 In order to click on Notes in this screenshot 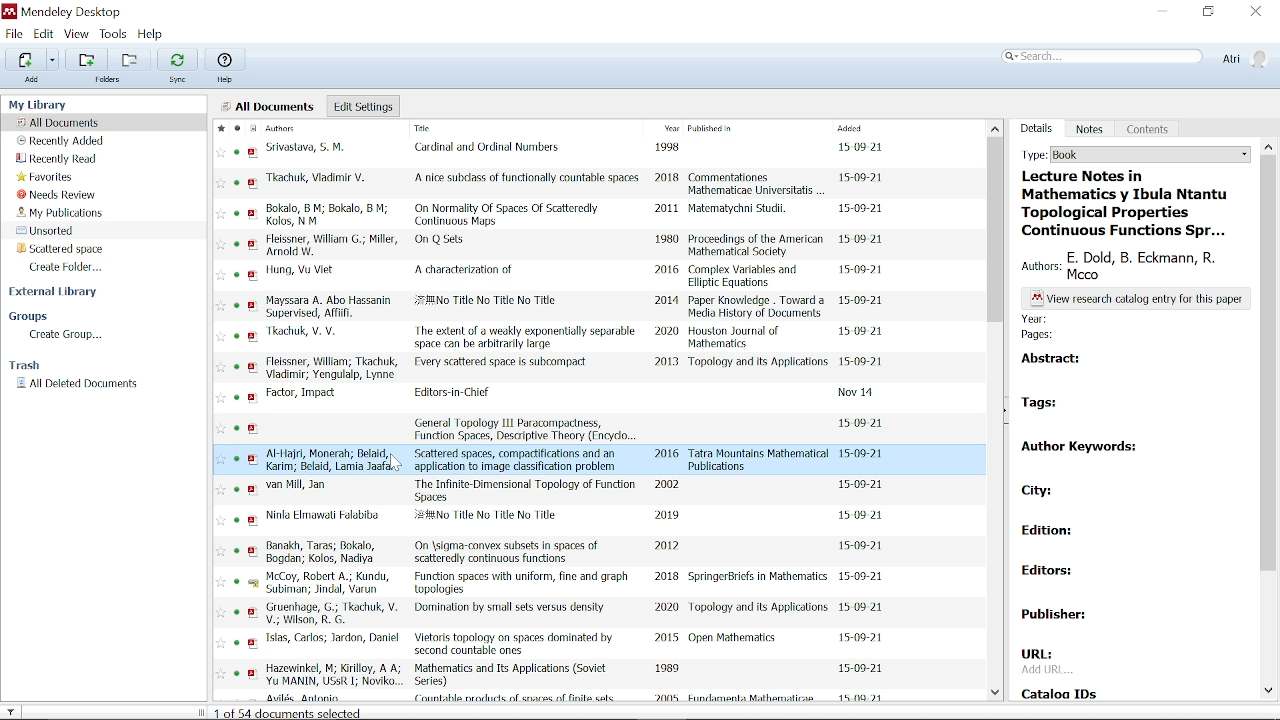, I will do `click(1090, 129)`.